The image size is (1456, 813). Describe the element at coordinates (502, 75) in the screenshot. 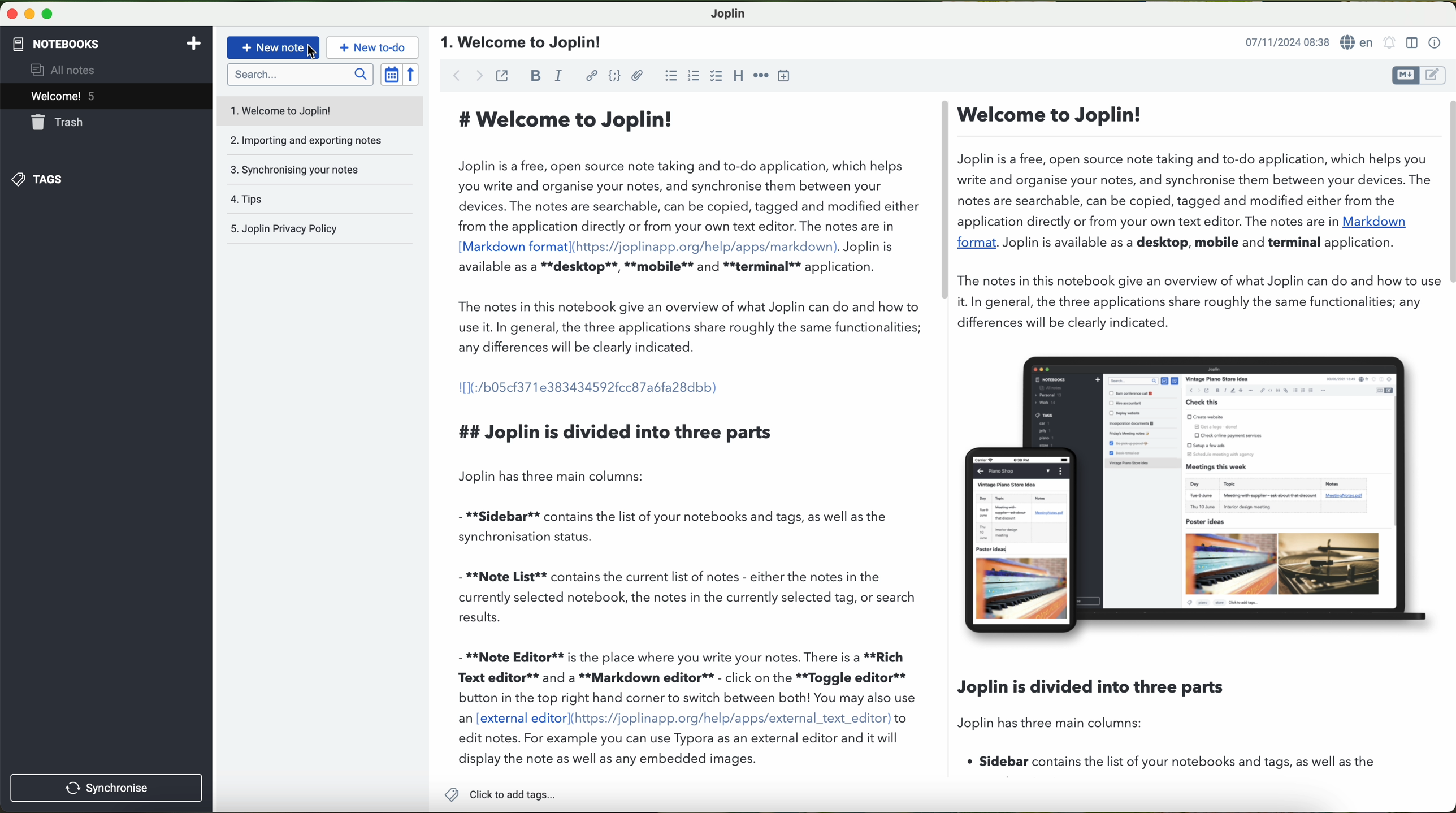

I see `toggle external editing` at that location.